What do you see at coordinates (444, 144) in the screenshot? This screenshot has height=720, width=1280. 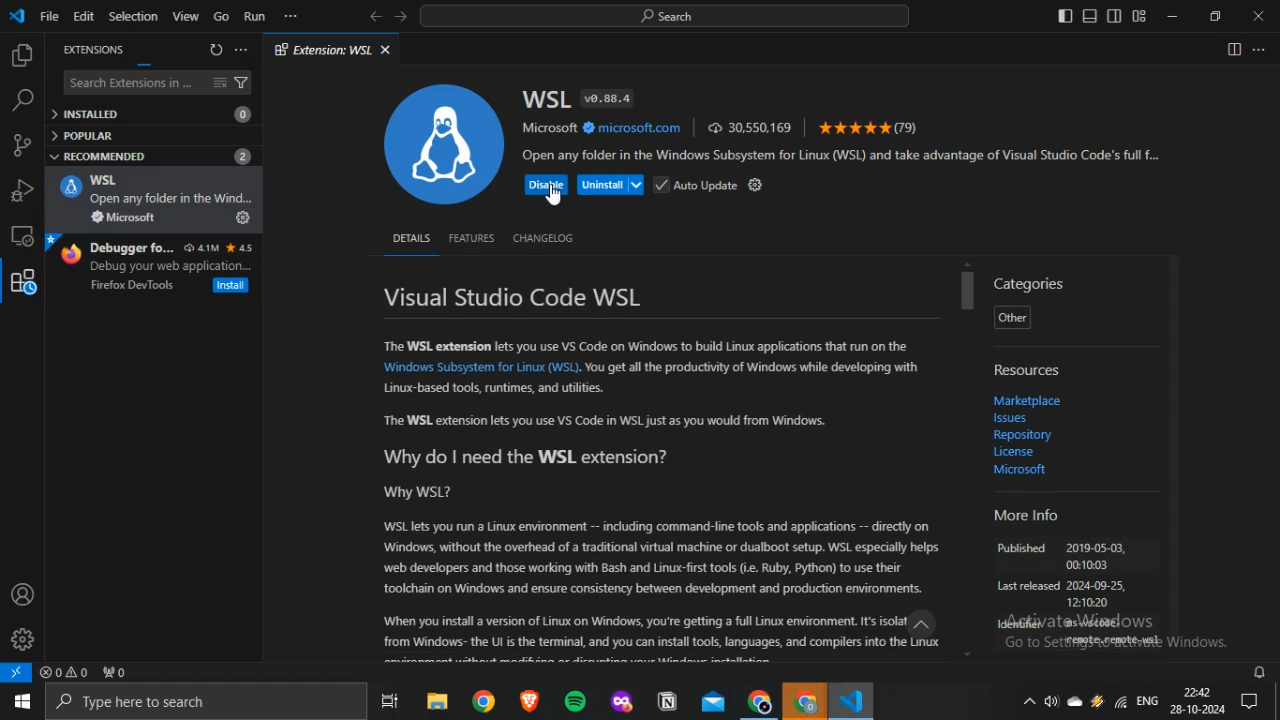 I see `WSL logo` at bounding box center [444, 144].